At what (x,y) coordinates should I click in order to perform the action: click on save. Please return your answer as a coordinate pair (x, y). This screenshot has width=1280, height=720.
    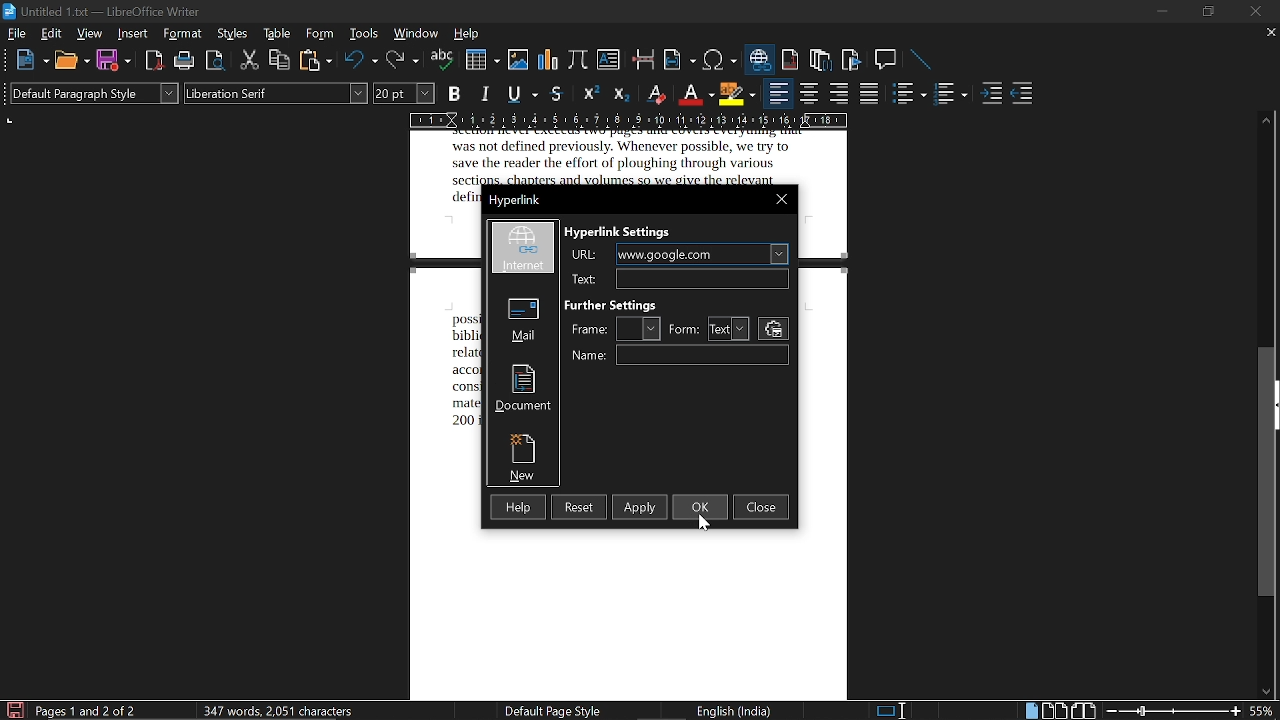
    Looking at the image, I should click on (113, 59).